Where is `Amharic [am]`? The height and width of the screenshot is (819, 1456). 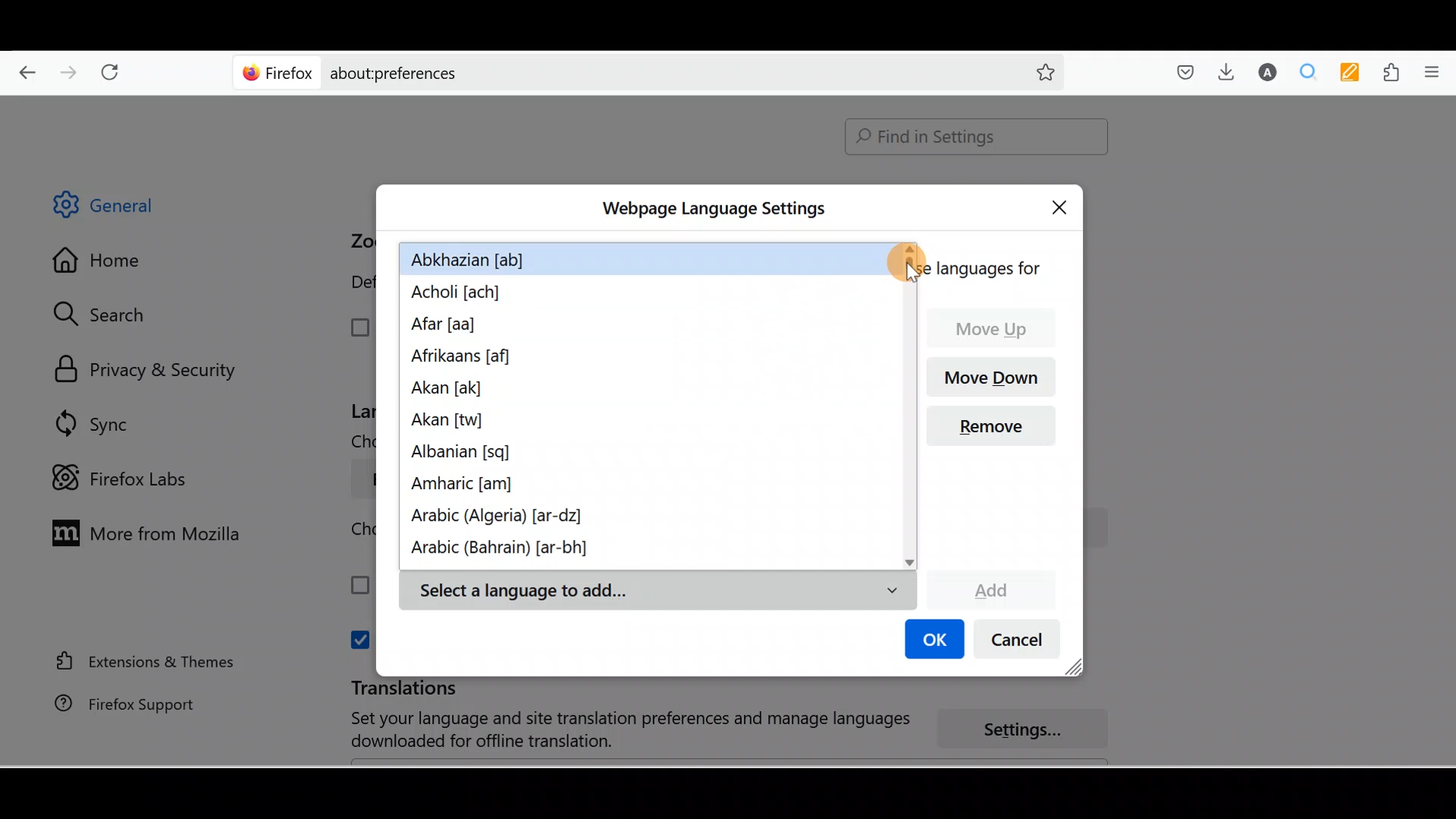 Amharic [am] is located at coordinates (472, 487).